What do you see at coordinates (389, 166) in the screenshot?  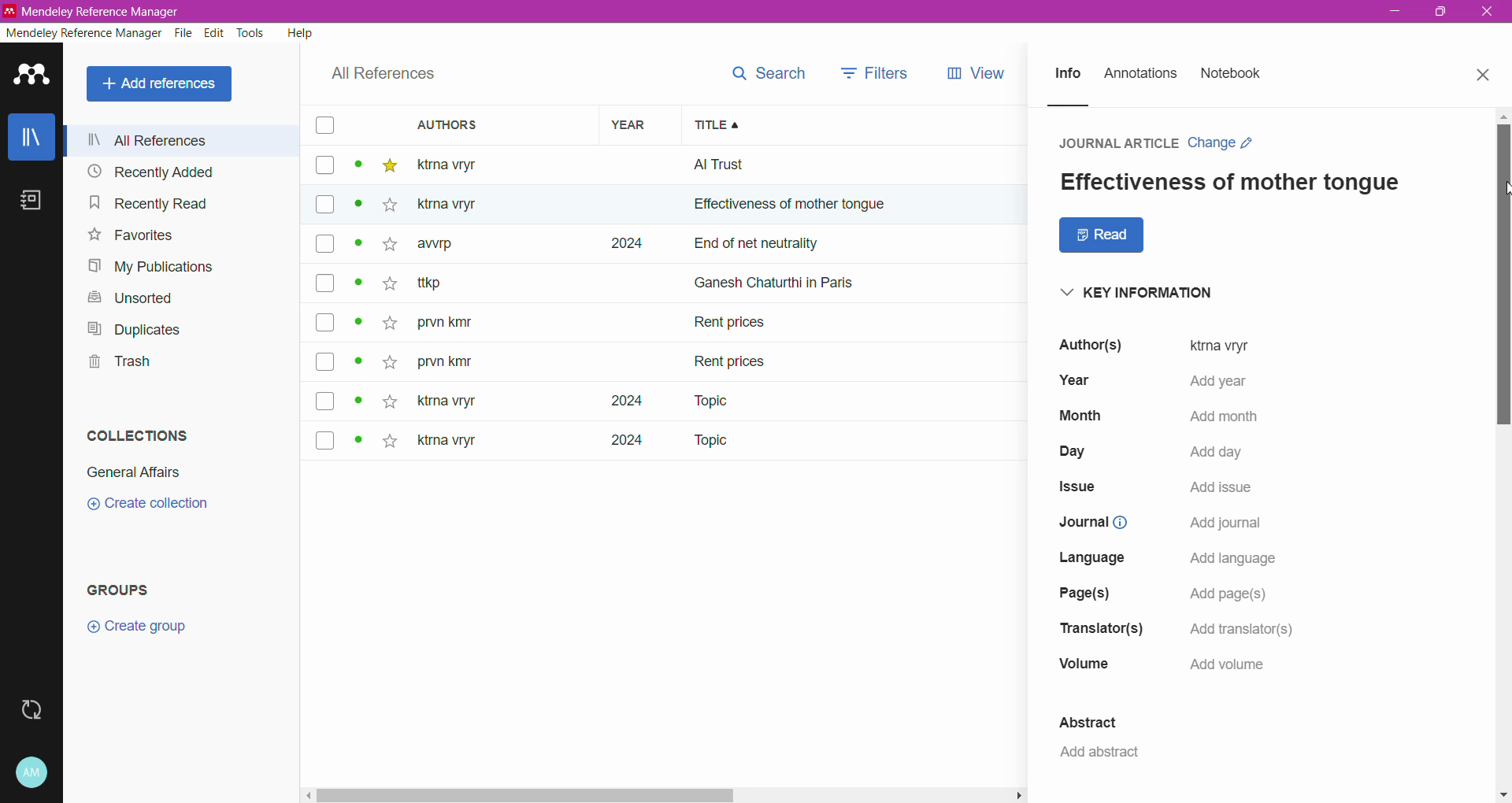 I see `star` at bounding box center [389, 166].